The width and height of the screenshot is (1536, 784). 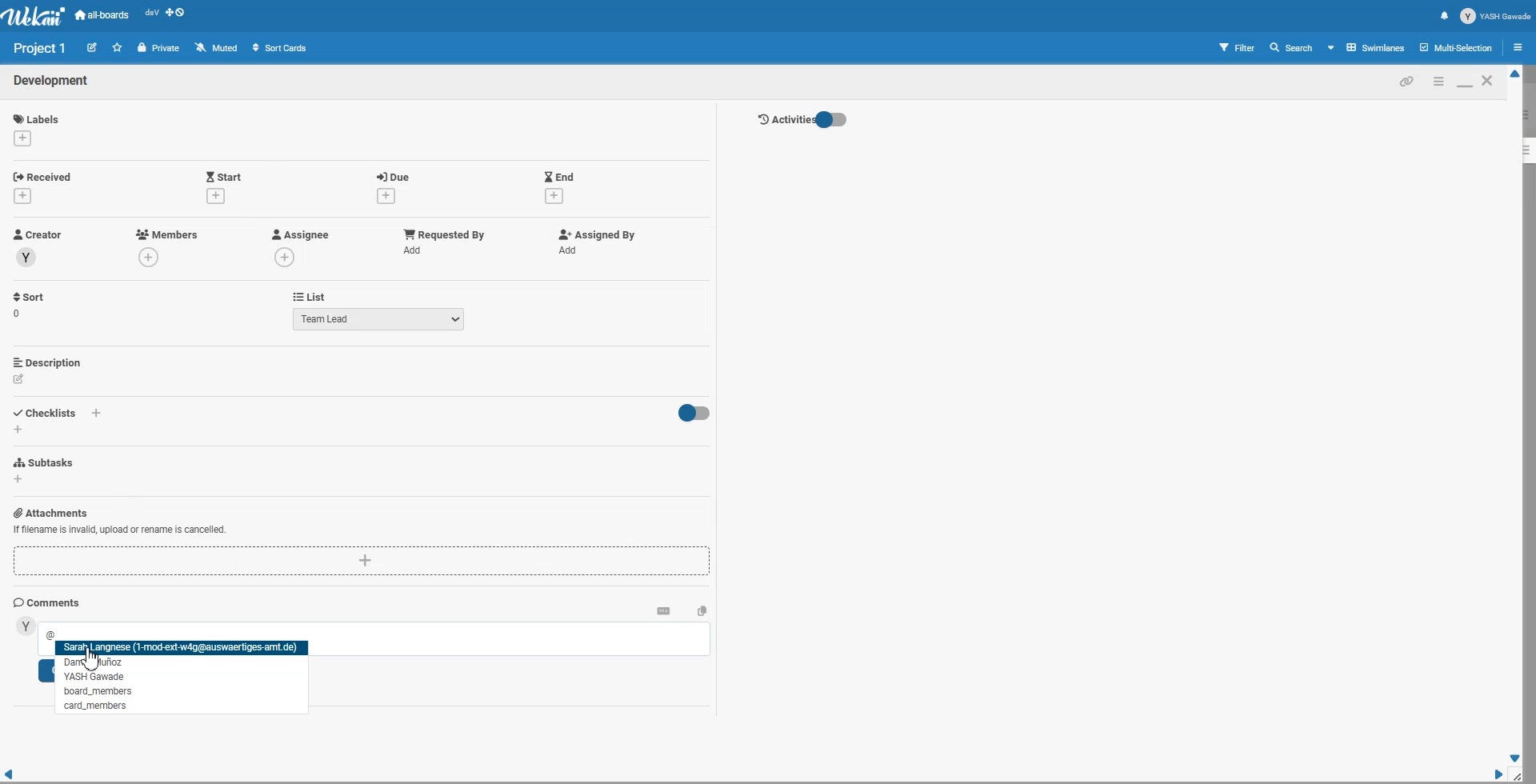 What do you see at coordinates (663, 610) in the screenshot?
I see `Convert to markdown` at bounding box center [663, 610].